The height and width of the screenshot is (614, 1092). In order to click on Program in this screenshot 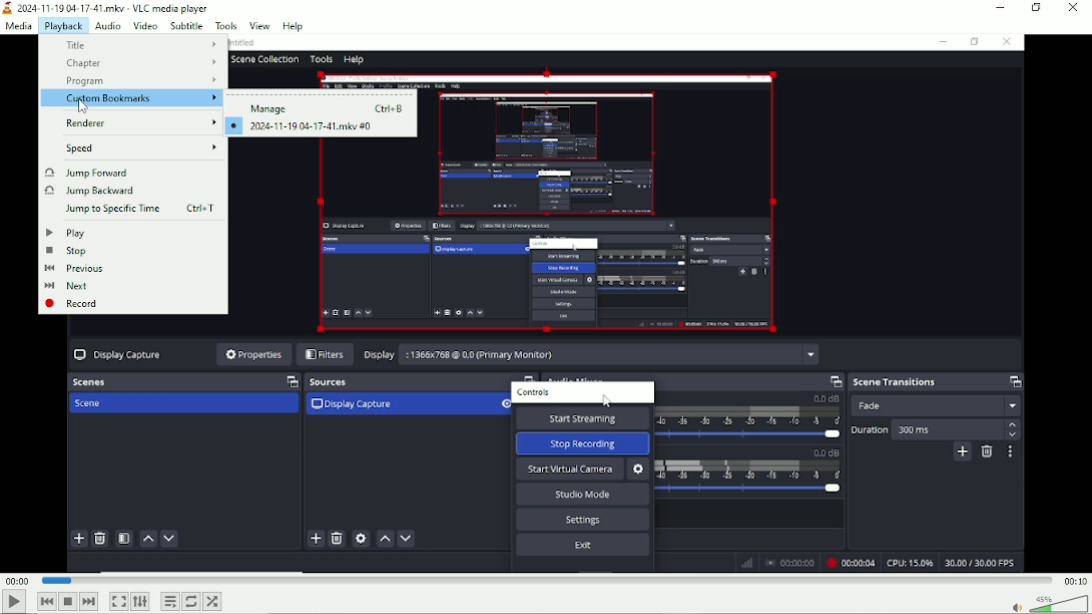, I will do `click(142, 81)`.